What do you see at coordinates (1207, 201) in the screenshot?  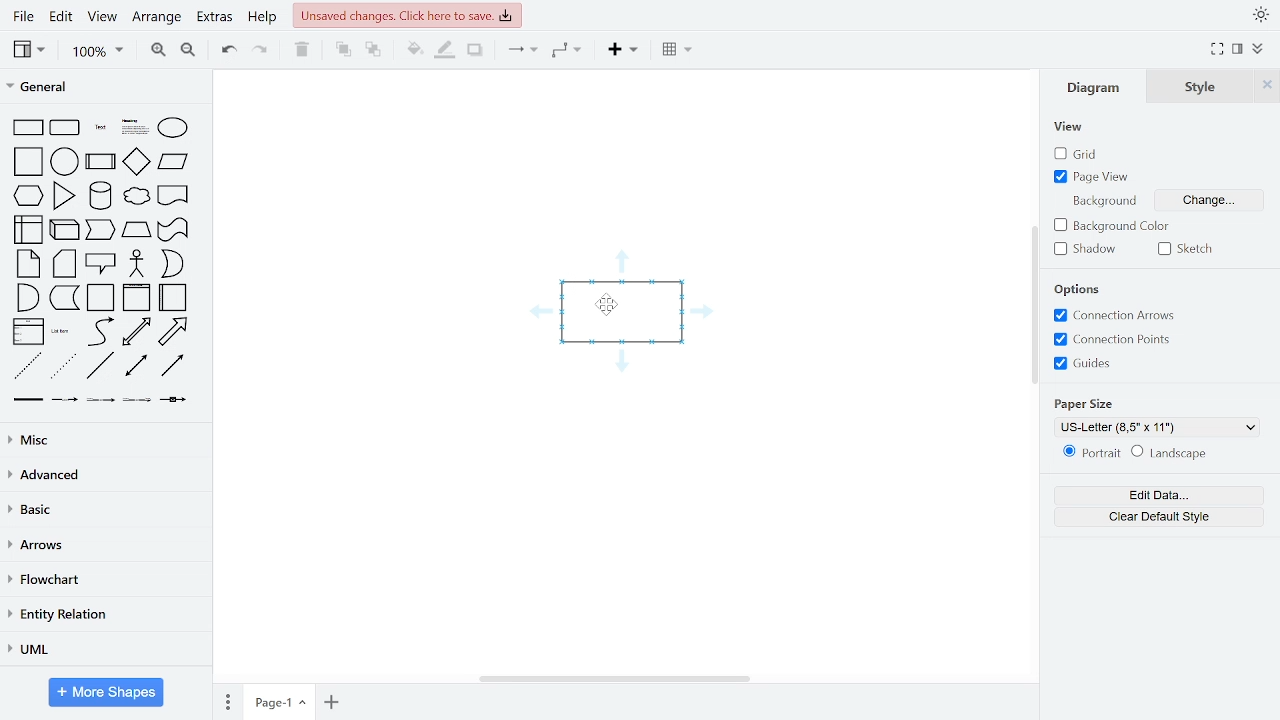 I see `background change` at bounding box center [1207, 201].